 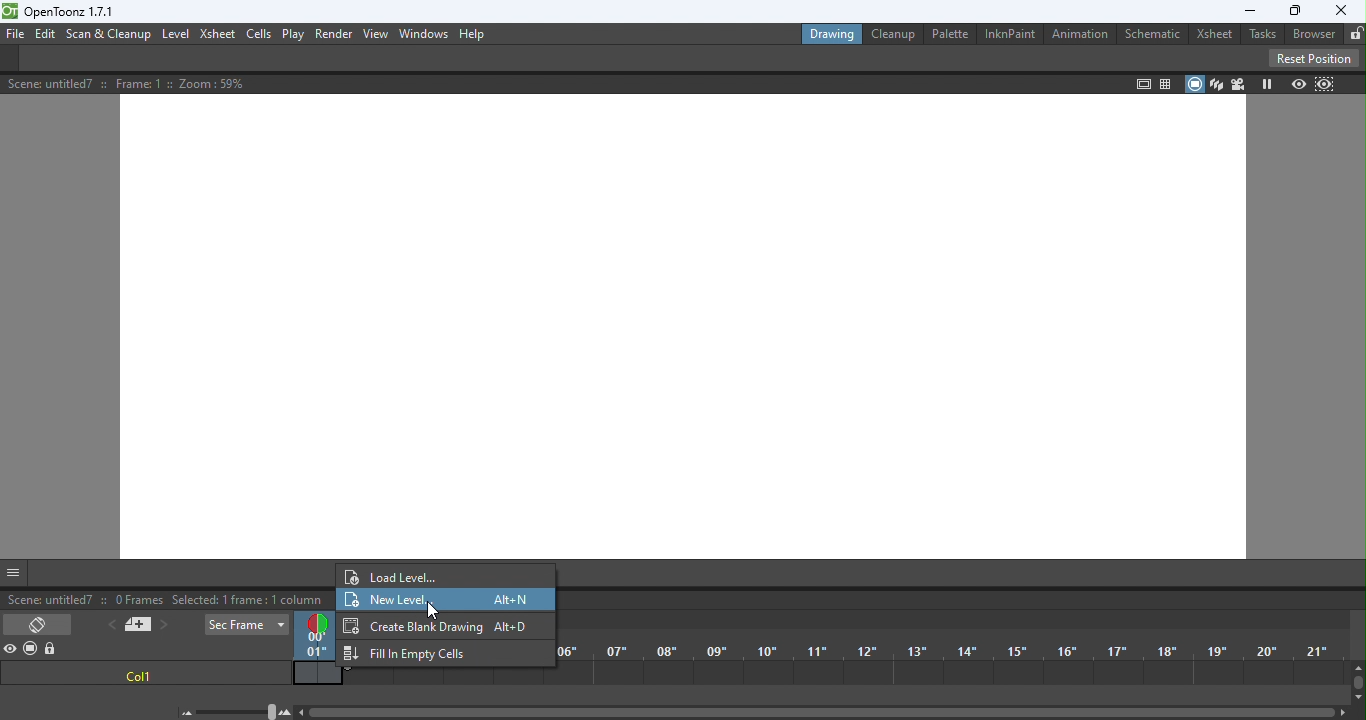 What do you see at coordinates (136, 598) in the screenshot?
I see `0 frames` at bounding box center [136, 598].